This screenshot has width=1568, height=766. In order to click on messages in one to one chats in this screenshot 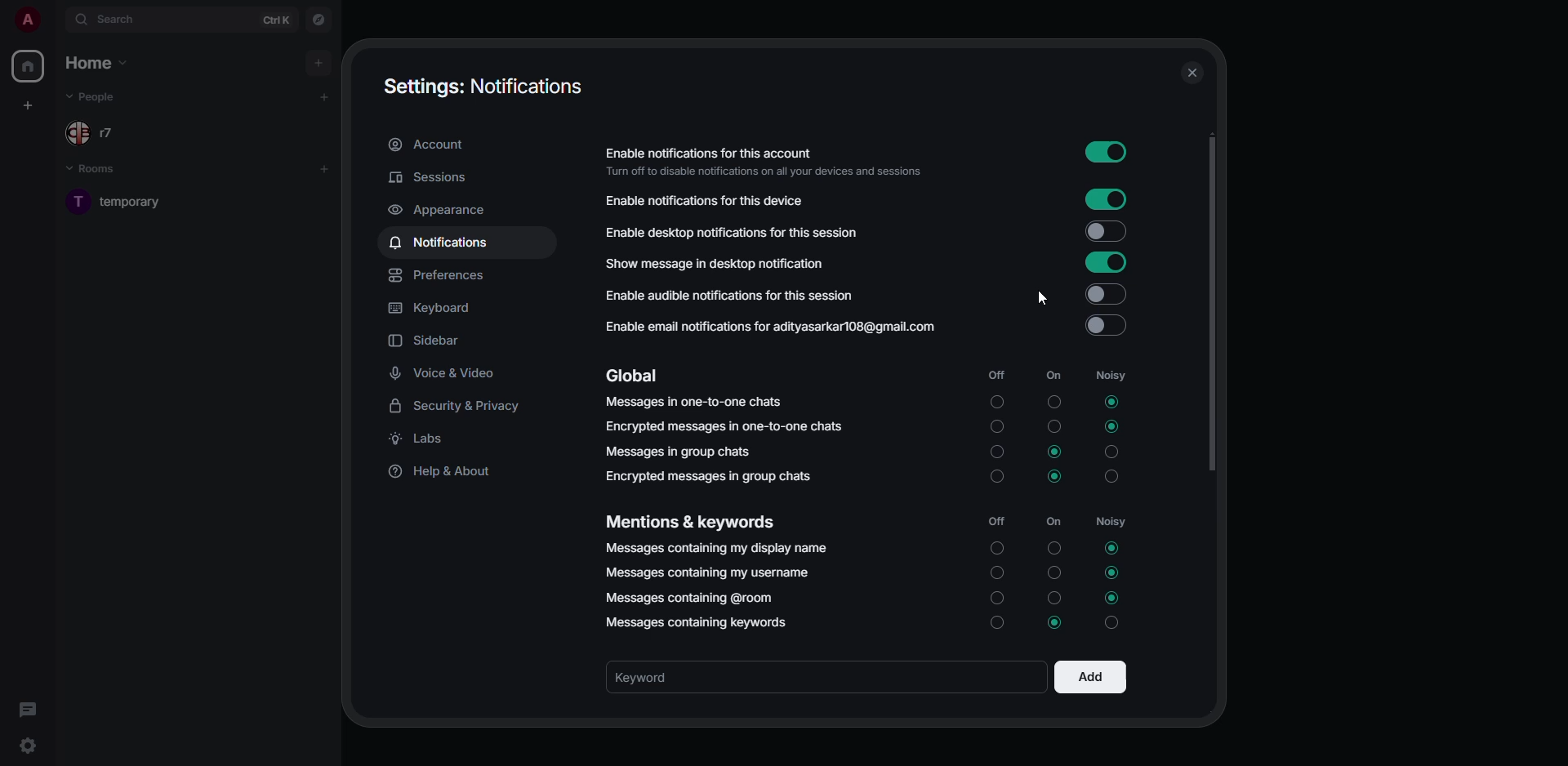, I will do `click(693, 401)`.